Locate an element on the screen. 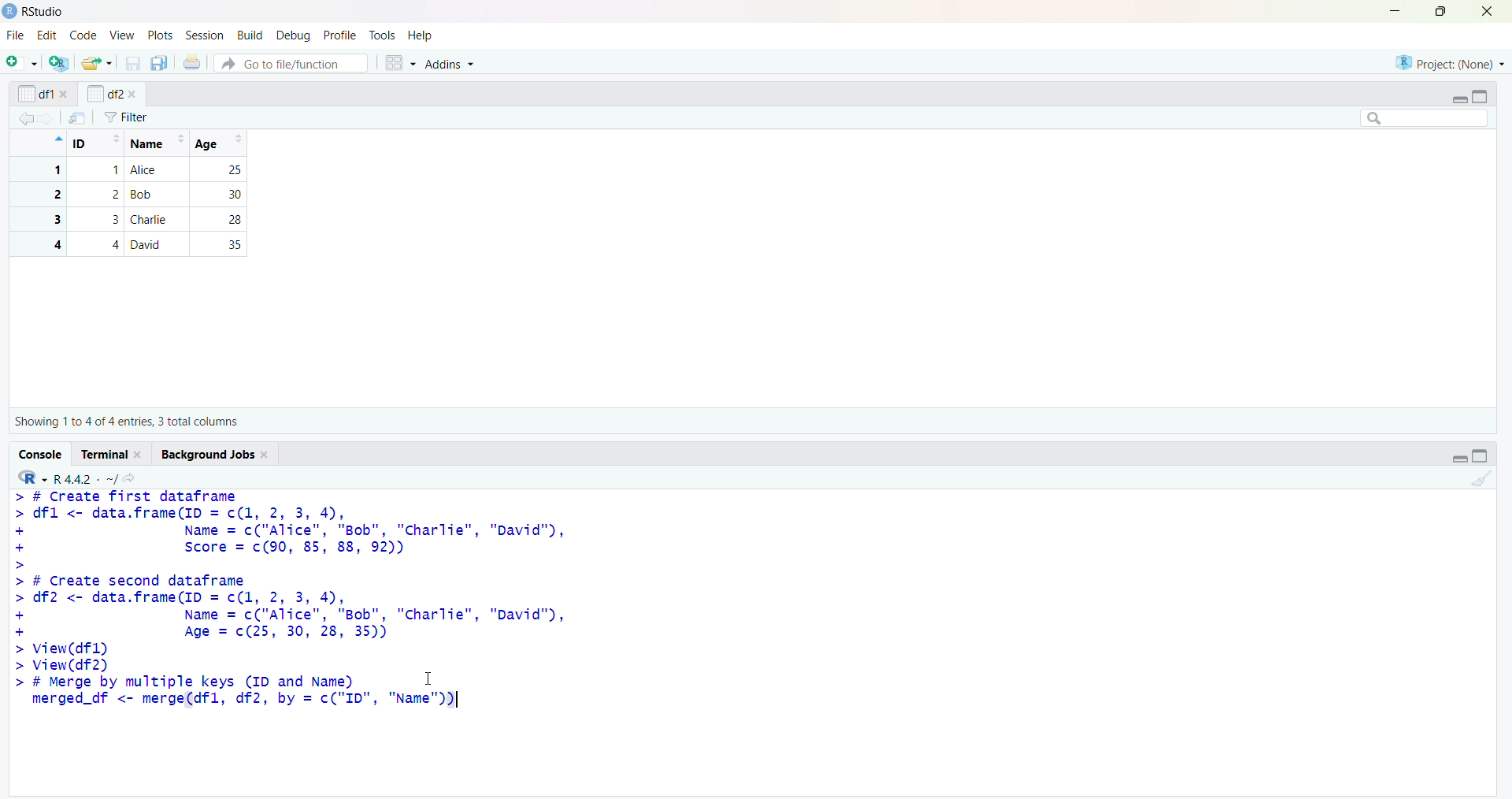 This screenshot has width=1512, height=799. Background jobs is located at coordinates (208, 455).